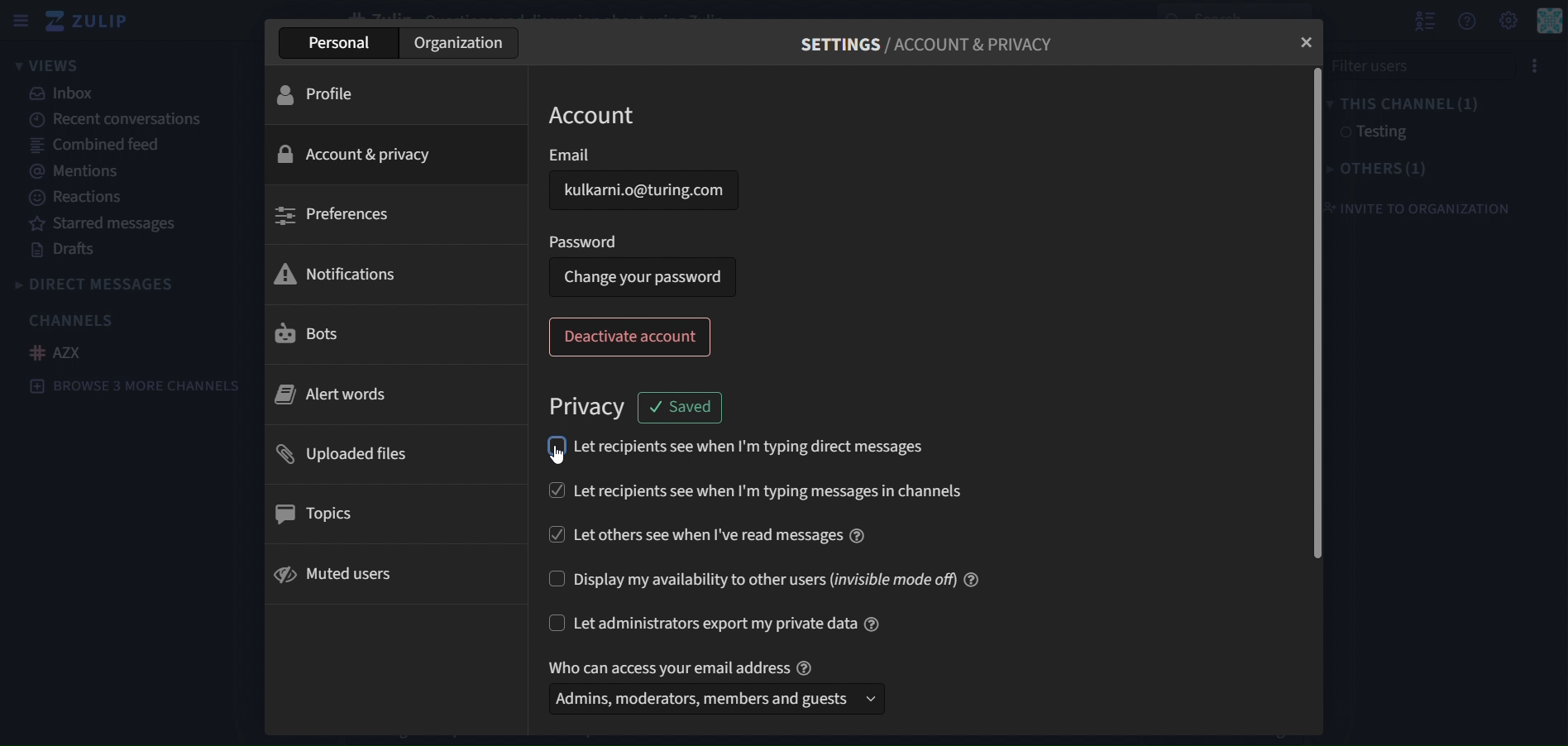  Describe the element at coordinates (557, 457) in the screenshot. I see `cursor` at that location.